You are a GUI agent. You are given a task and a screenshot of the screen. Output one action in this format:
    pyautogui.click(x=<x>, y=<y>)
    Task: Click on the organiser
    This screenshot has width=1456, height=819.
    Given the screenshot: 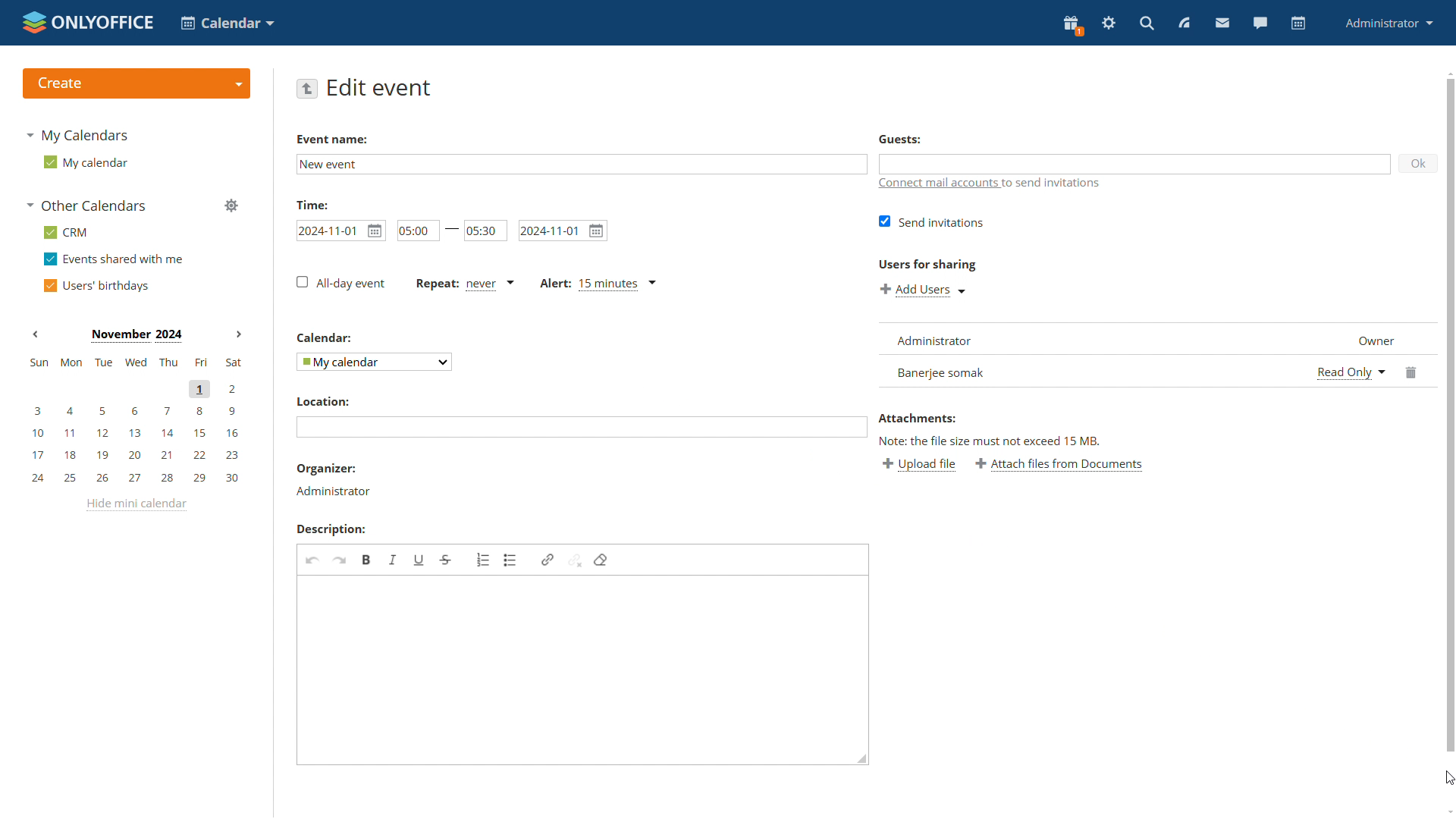 What is the action you would take?
    pyautogui.click(x=326, y=469)
    